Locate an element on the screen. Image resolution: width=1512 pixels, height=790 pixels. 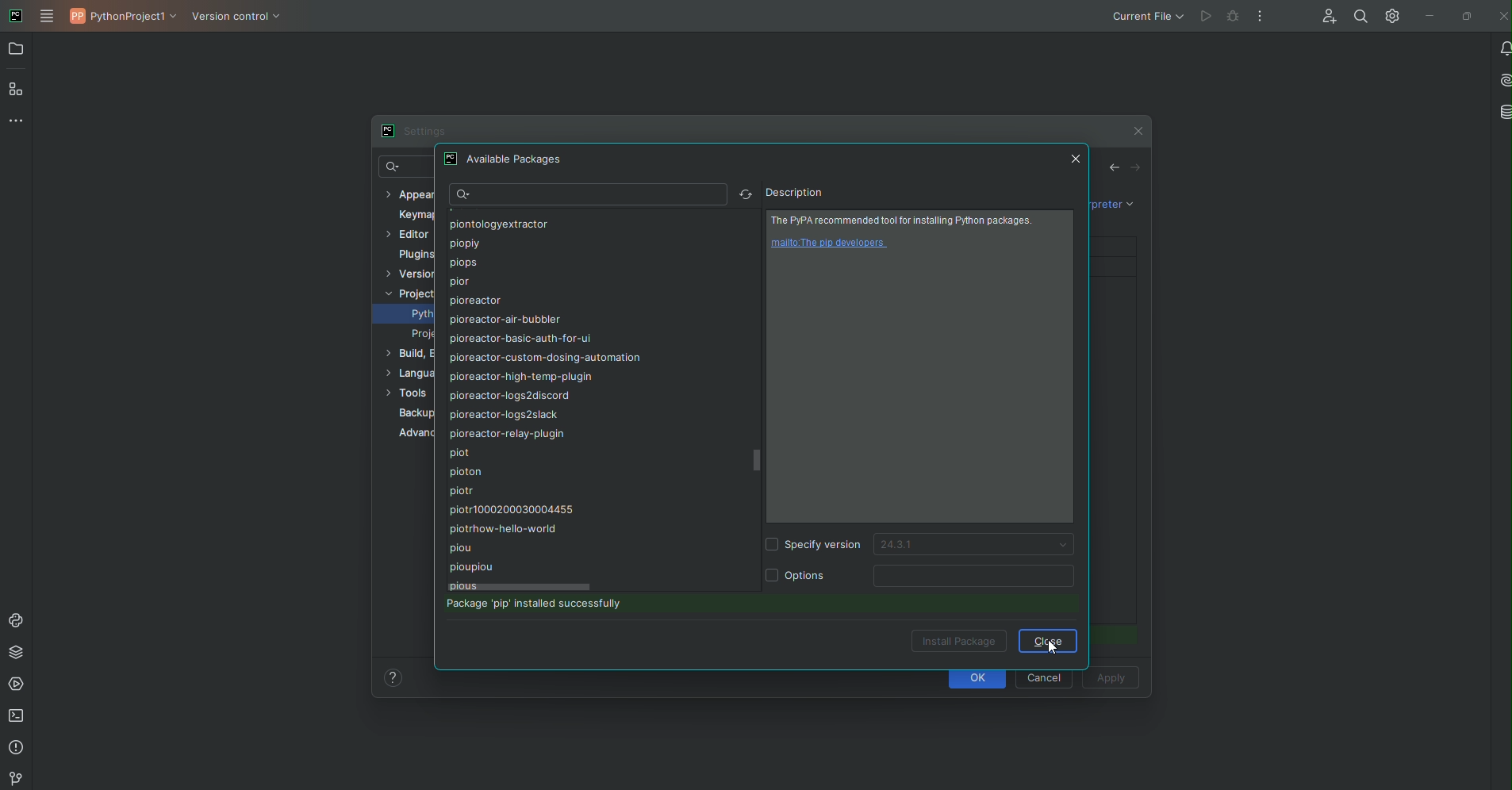
Cursor is located at coordinates (1050, 650).